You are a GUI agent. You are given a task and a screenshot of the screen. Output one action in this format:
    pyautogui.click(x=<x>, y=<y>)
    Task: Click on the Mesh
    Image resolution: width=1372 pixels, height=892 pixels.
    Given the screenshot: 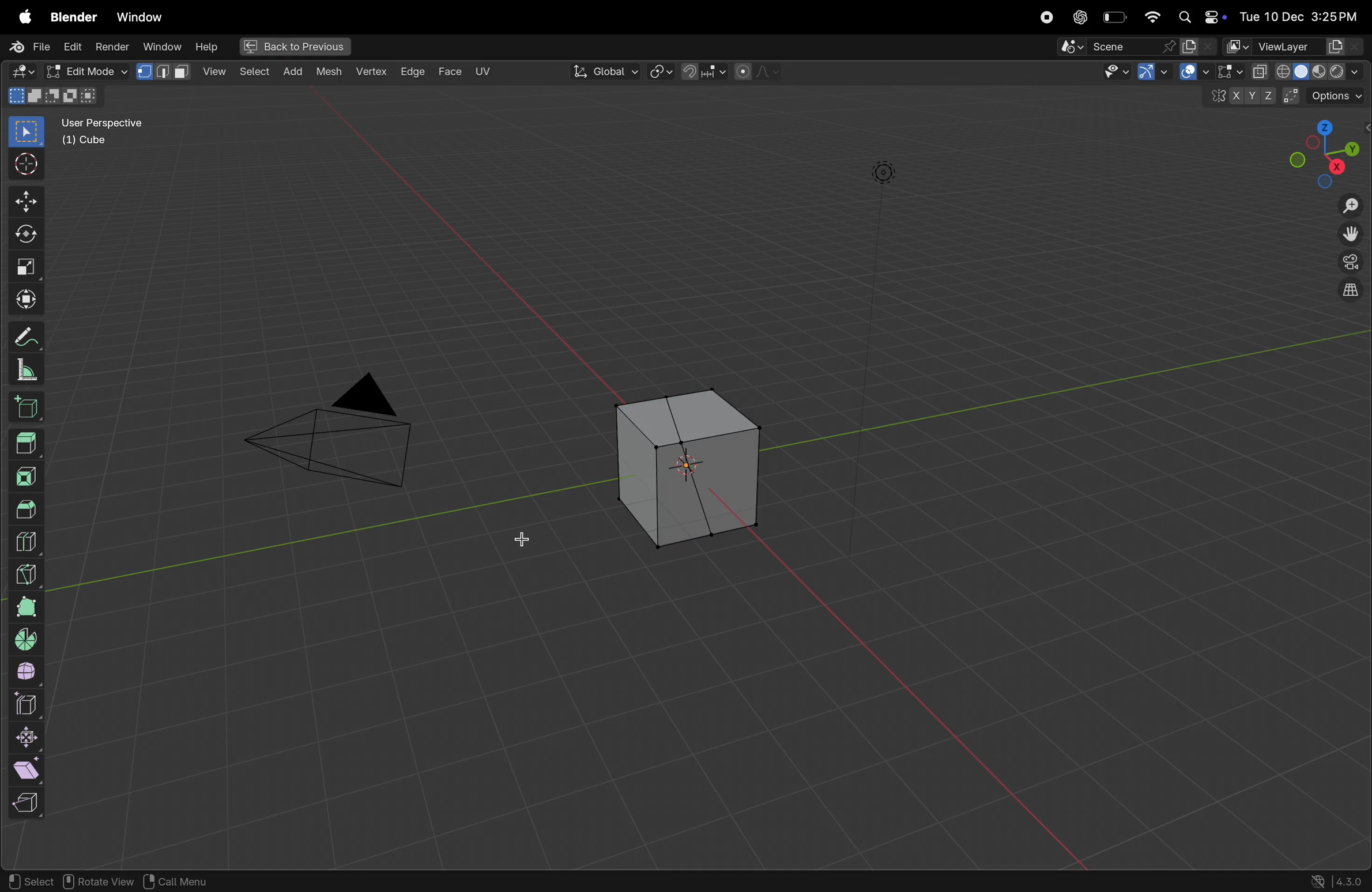 What is the action you would take?
    pyautogui.click(x=331, y=74)
    